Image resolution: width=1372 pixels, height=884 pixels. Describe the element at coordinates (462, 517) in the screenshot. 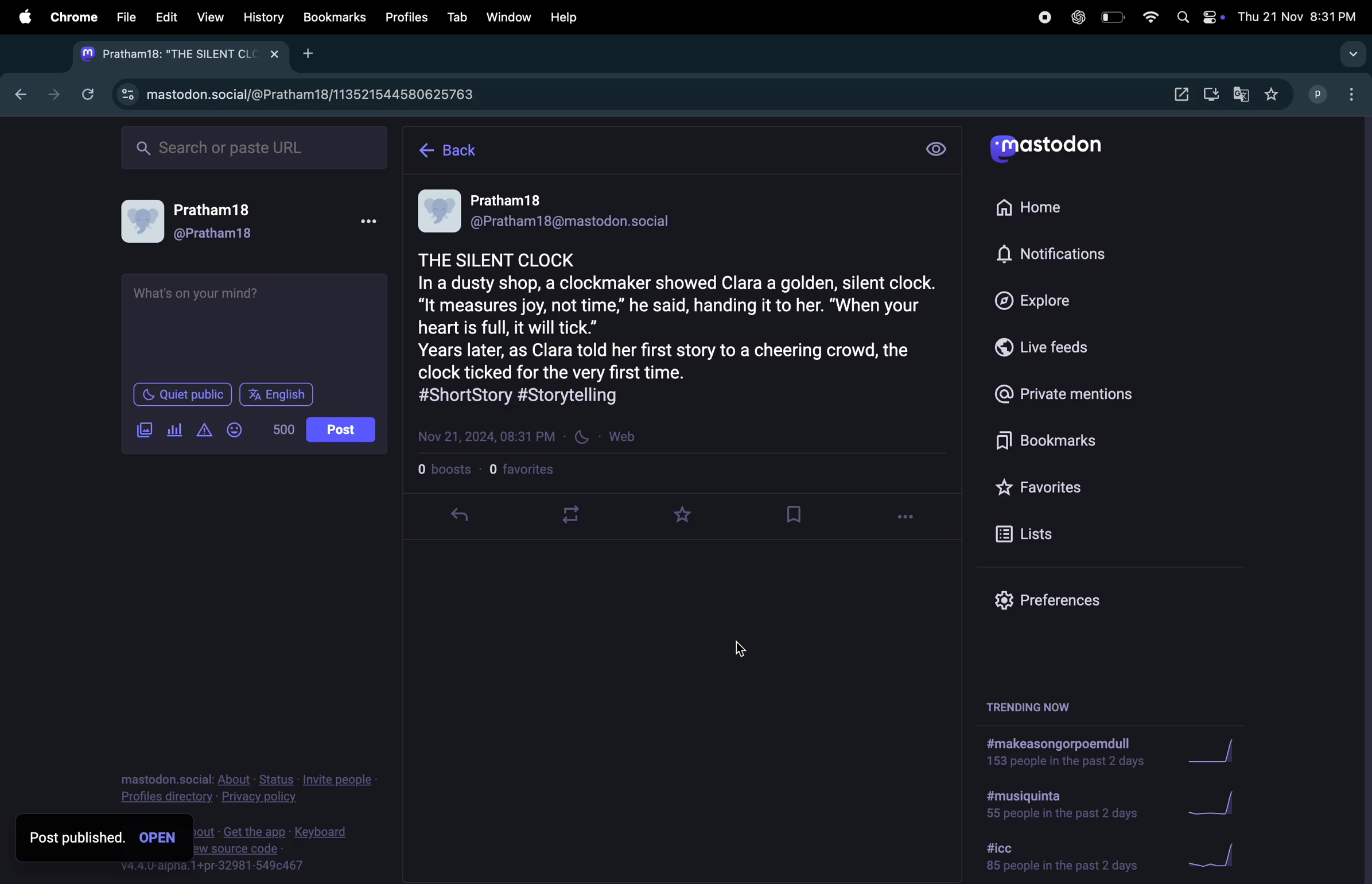

I see `revert` at that location.